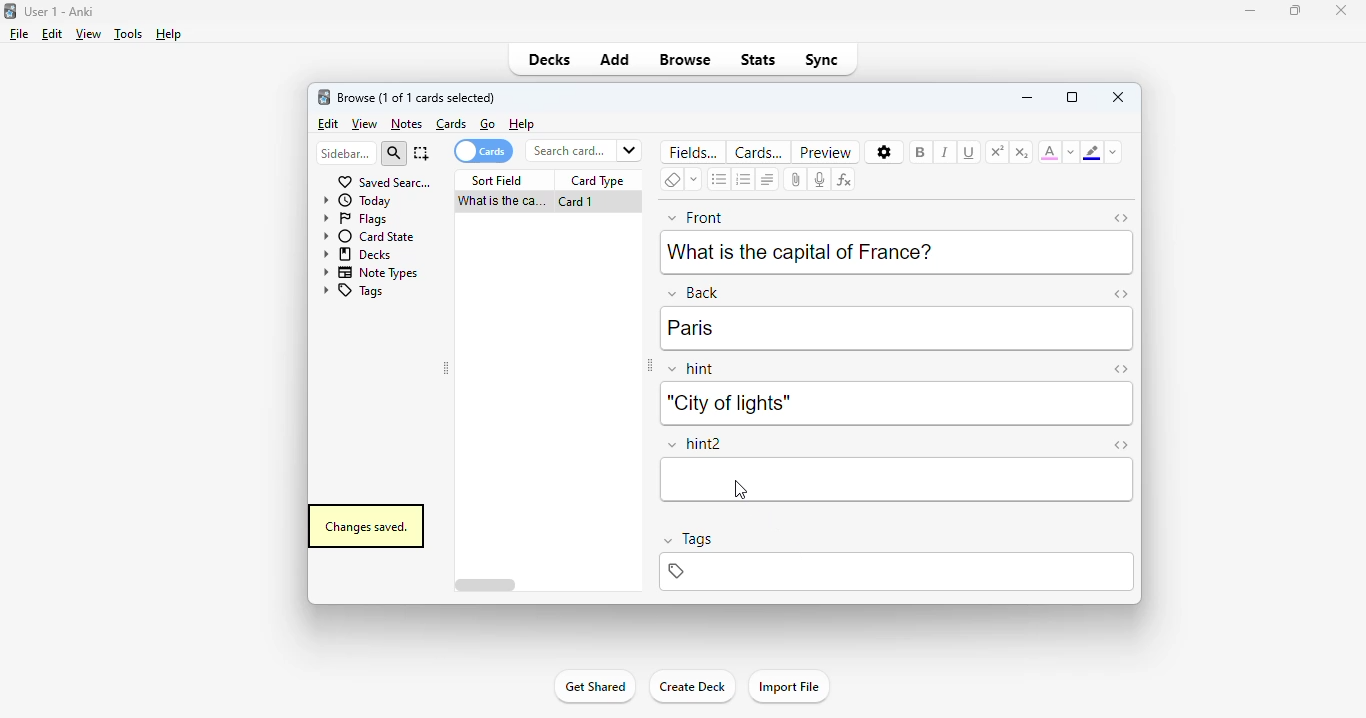 This screenshot has width=1366, height=718. Describe the element at coordinates (353, 218) in the screenshot. I see `flags` at that location.